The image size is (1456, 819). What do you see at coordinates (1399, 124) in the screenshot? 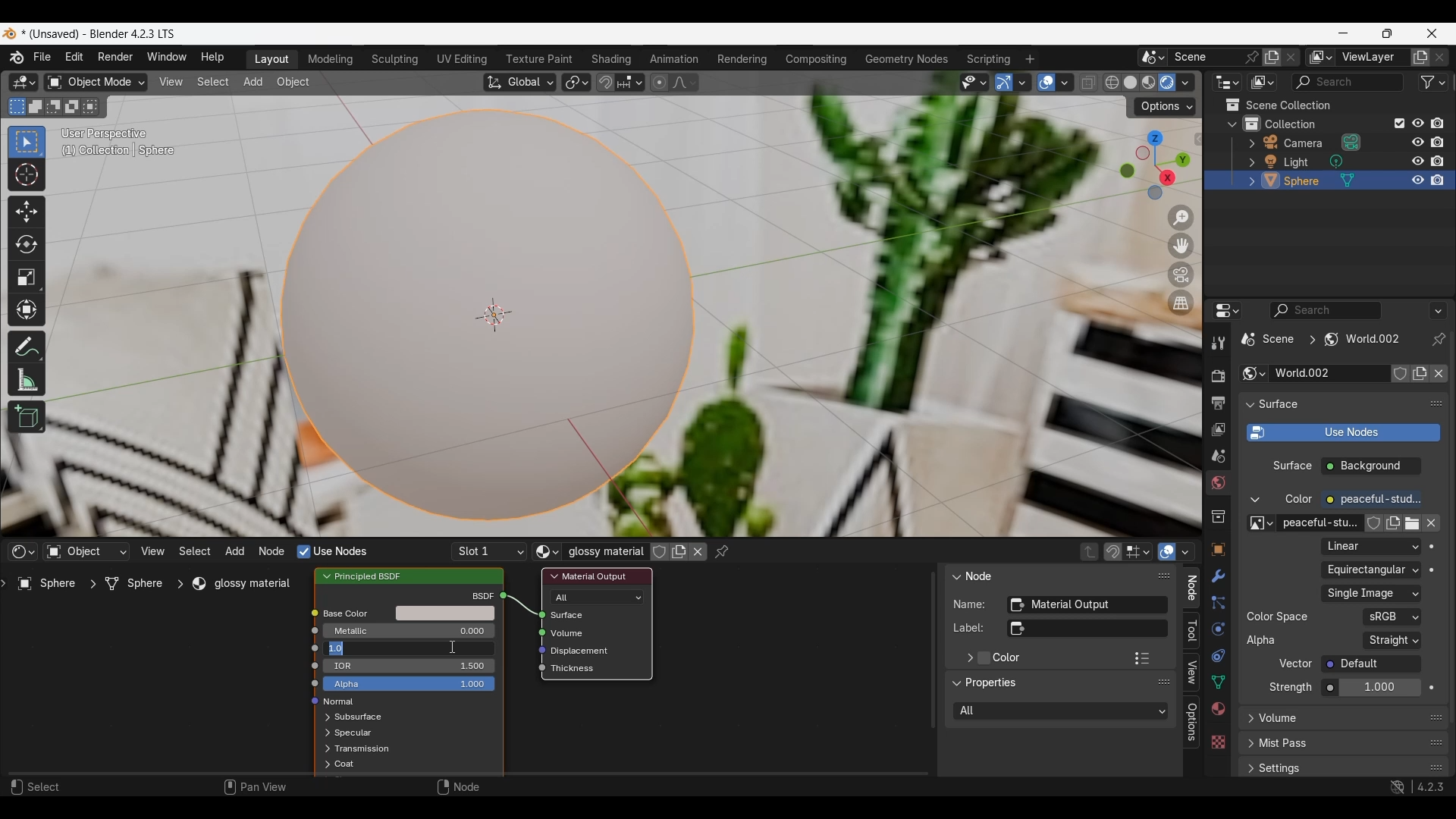
I see `Exclude from view layer` at bounding box center [1399, 124].